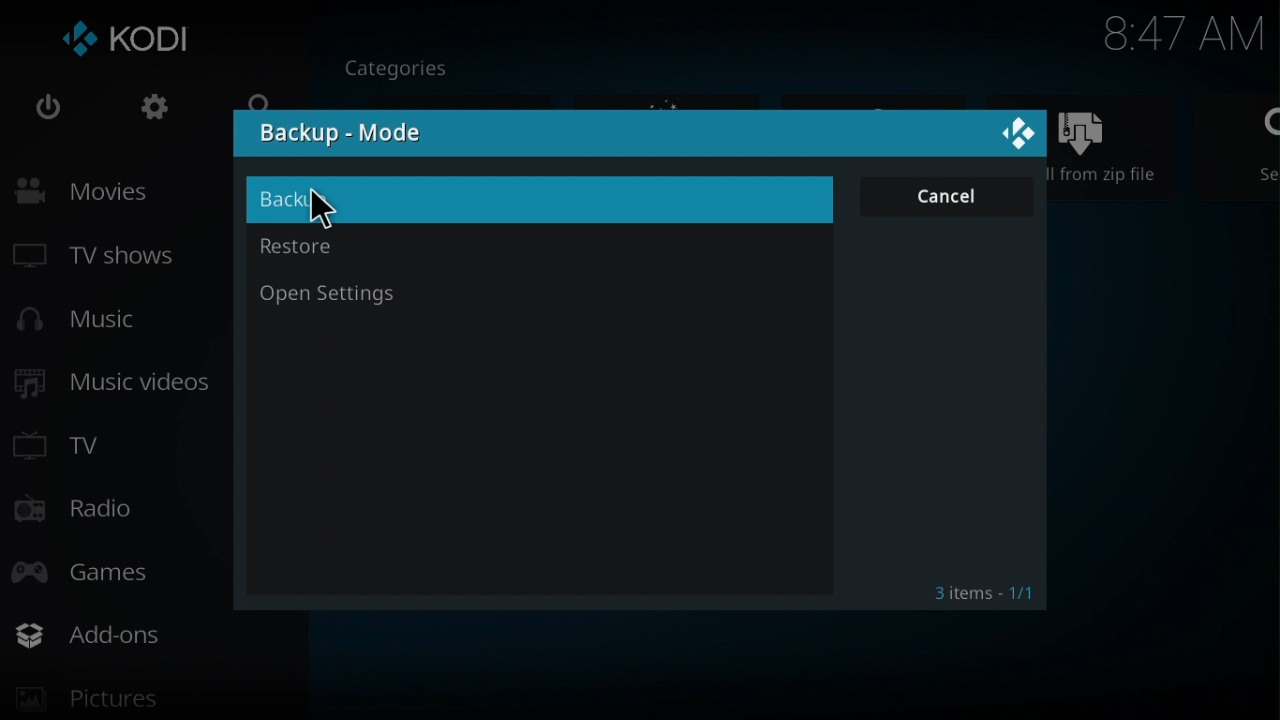 The height and width of the screenshot is (720, 1280). Describe the element at coordinates (48, 111) in the screenshot. I see `Power` at that location.